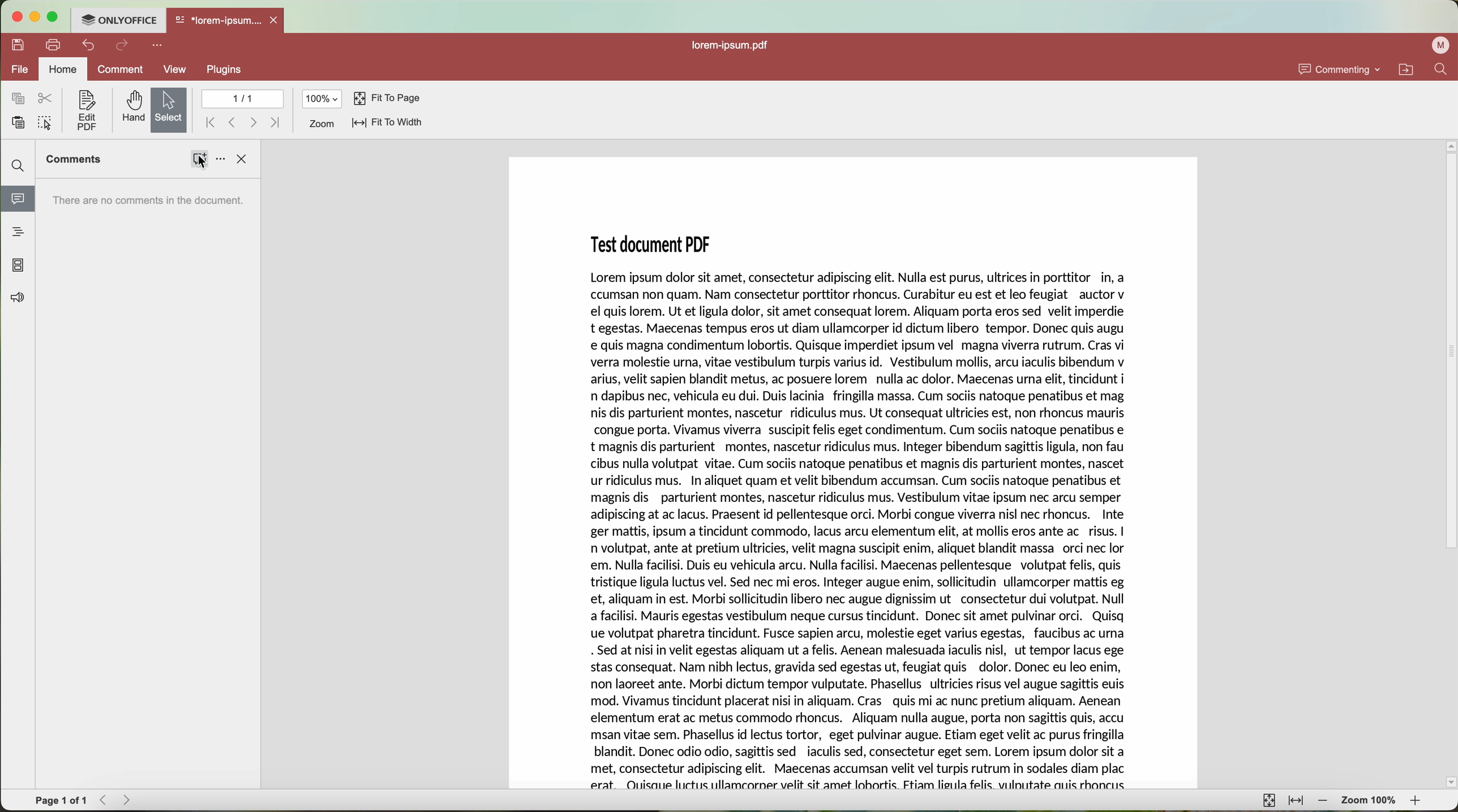 The height and width of the screenshot is (812, 1458). Describe the element at coordinates (48, 98) in the screenshot. I see `cut` at that location.